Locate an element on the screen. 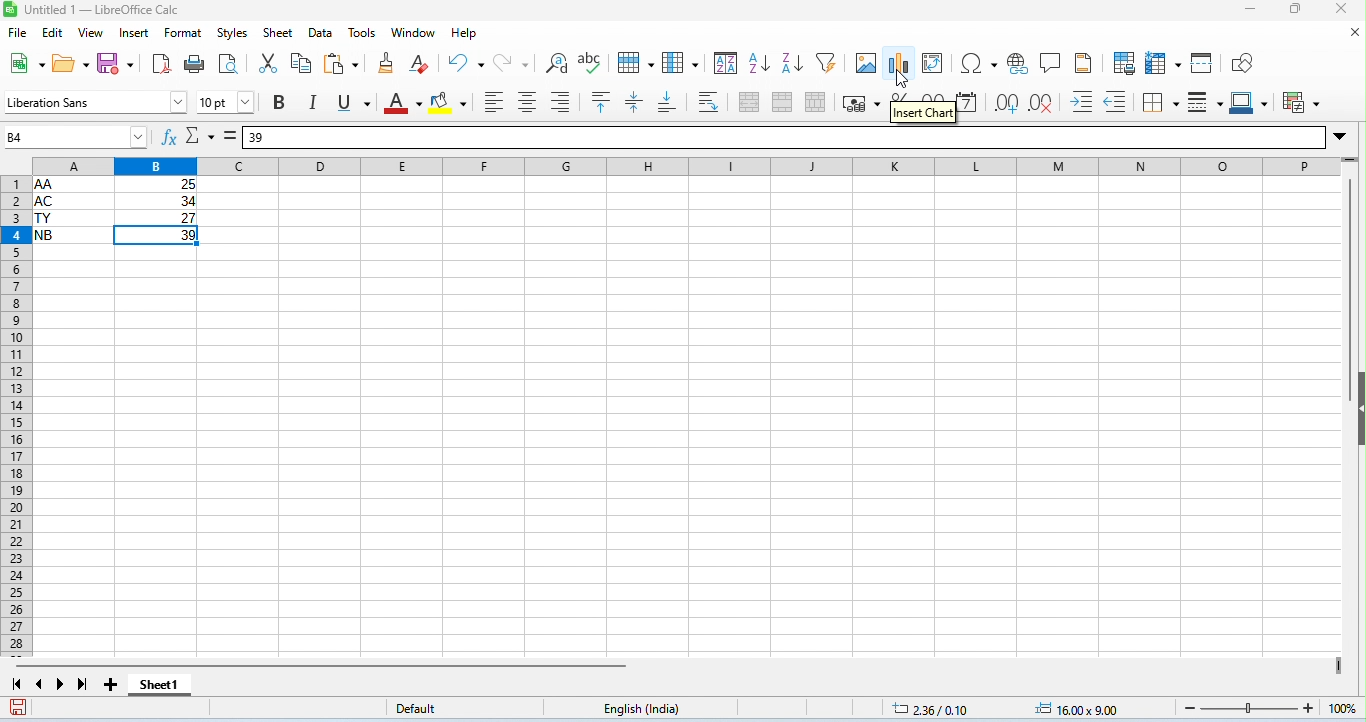 The width and height of the screenshot is (1366, 722). column is located at coordinates (680, 64).